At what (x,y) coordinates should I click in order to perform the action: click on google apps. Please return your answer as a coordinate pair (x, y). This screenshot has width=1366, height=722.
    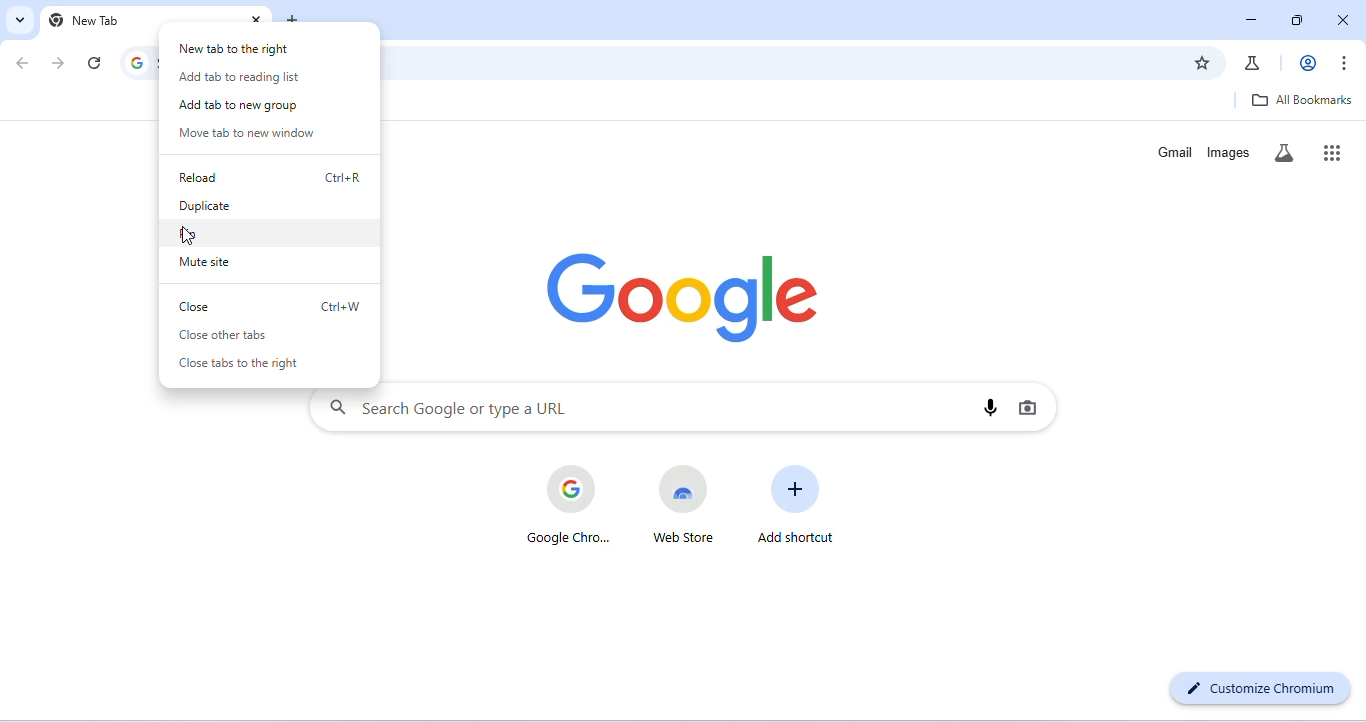
    Looking at the image, I should click on (1334, 153).